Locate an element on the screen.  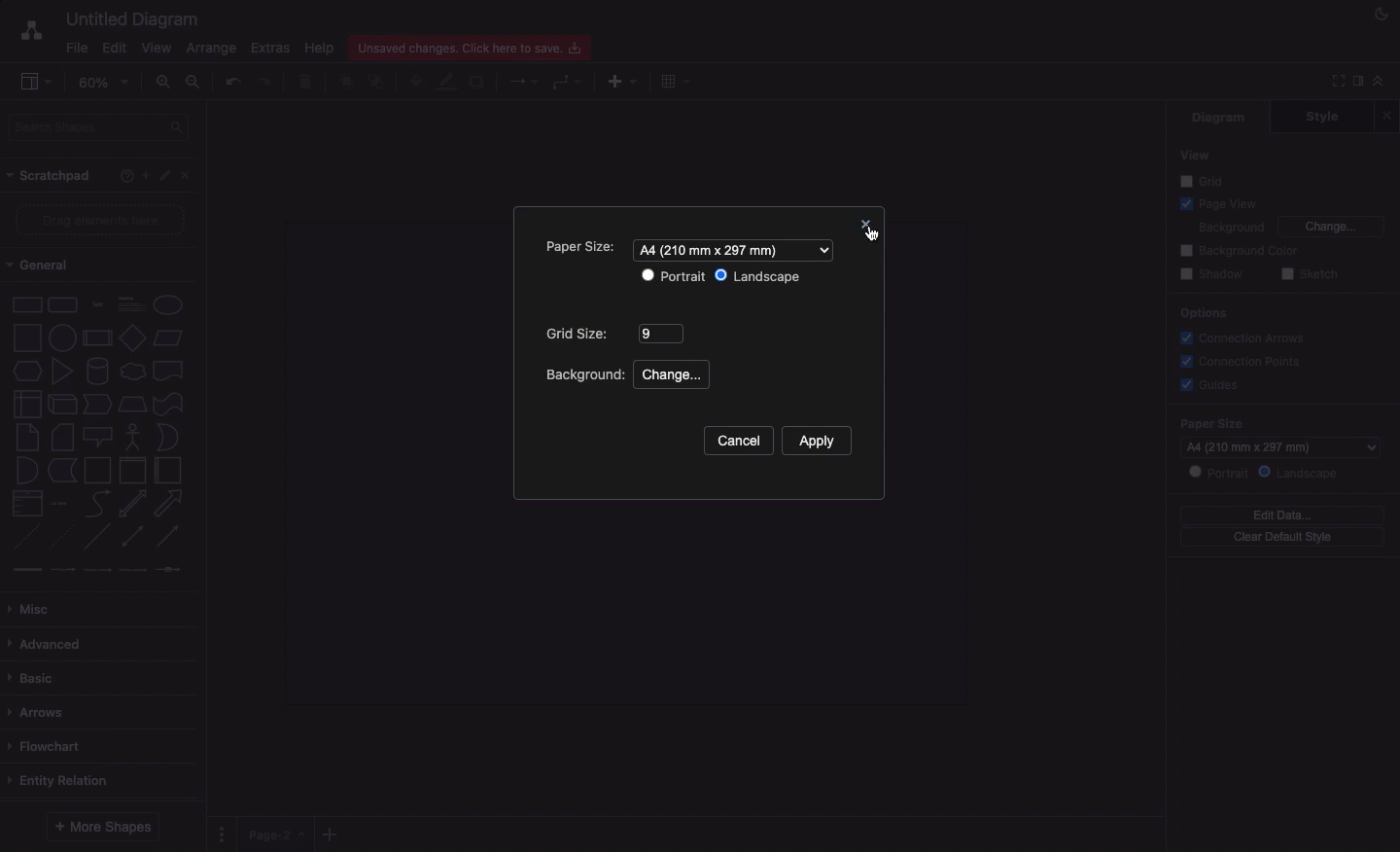
Zoom out is located at coordinates (195, 81).